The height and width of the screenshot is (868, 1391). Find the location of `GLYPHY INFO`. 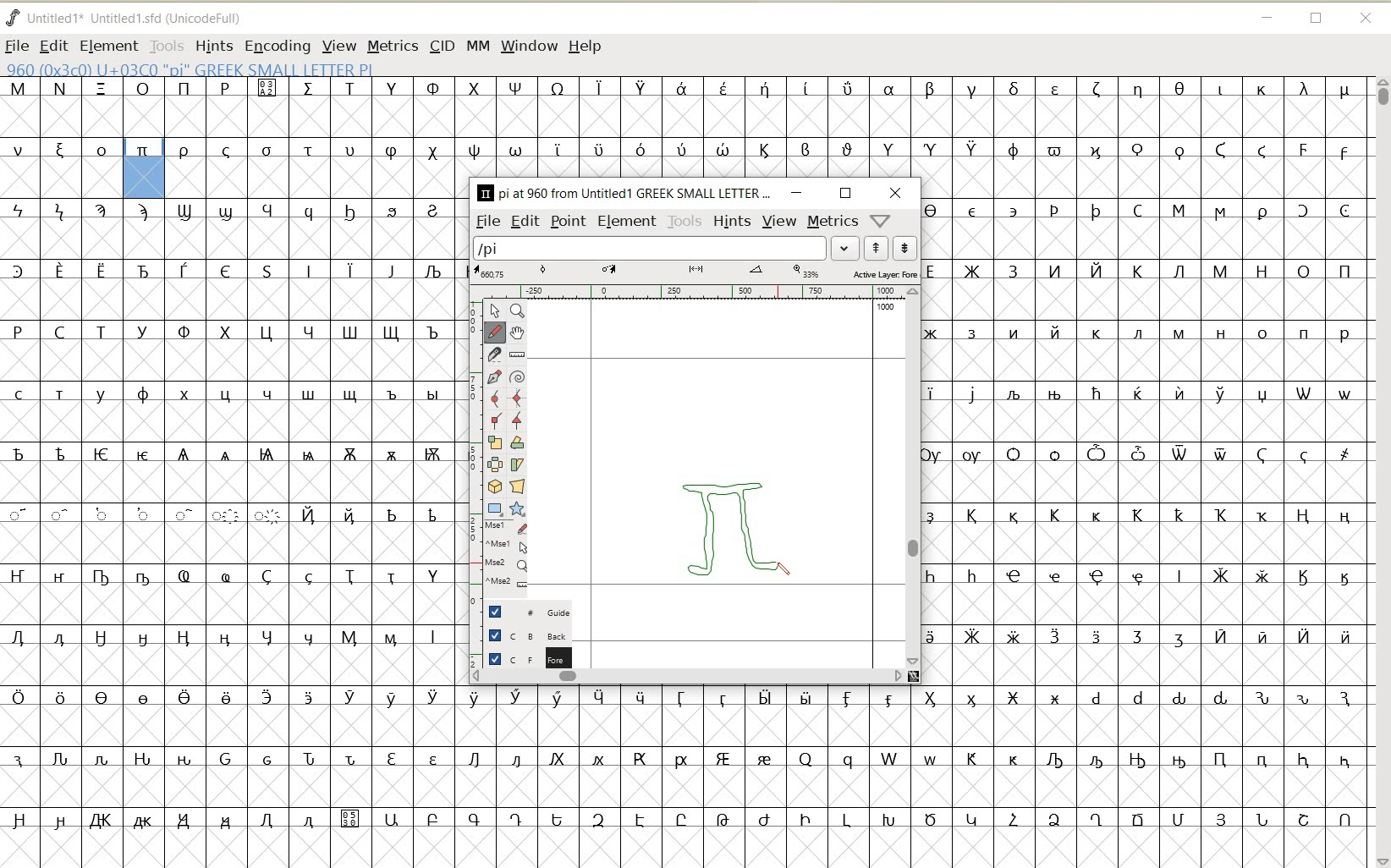

GLYPHY INFO is located at coordinates (190, 68).